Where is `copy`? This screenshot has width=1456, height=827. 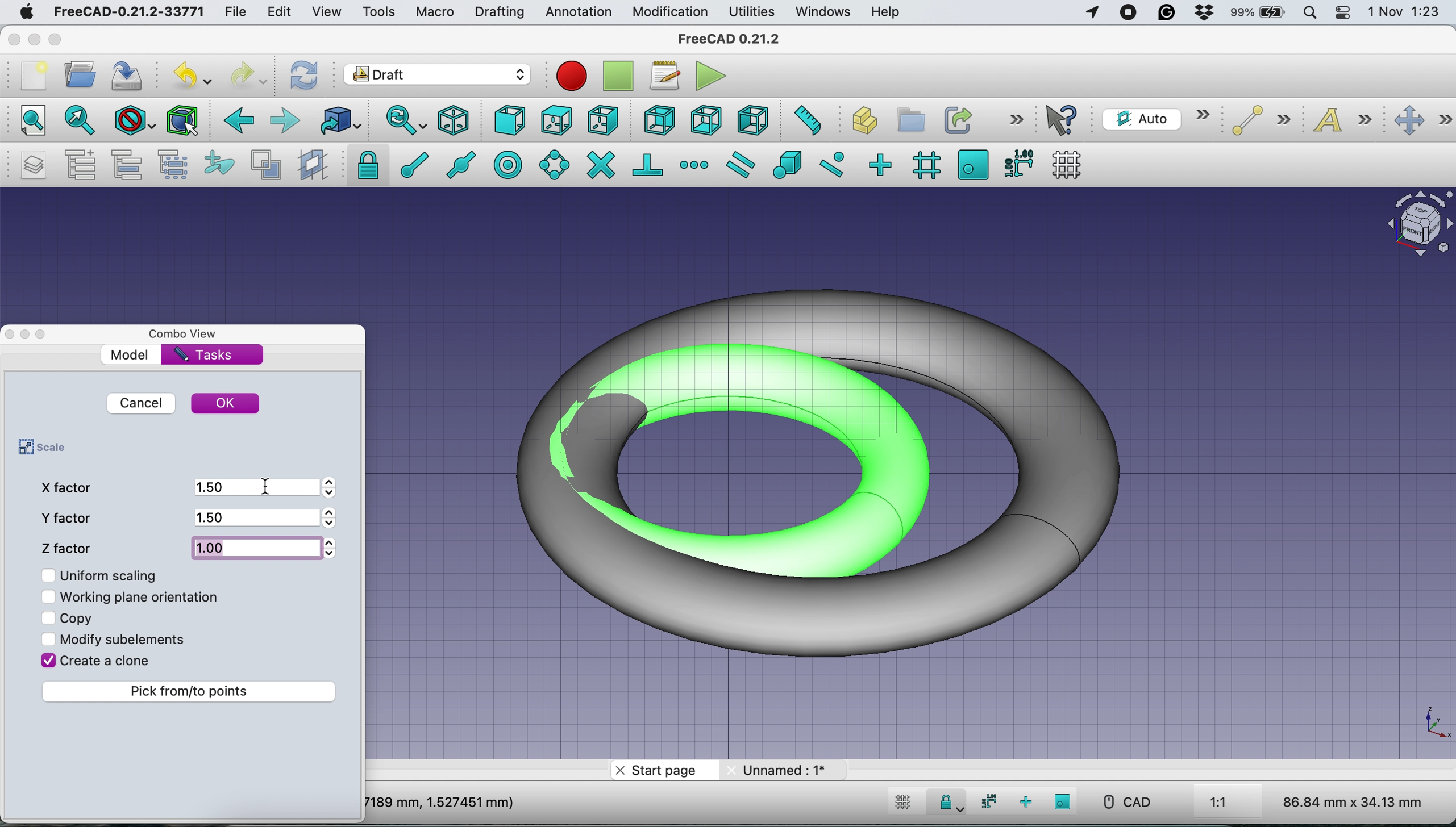
copy is located at coordinates (78, 616).